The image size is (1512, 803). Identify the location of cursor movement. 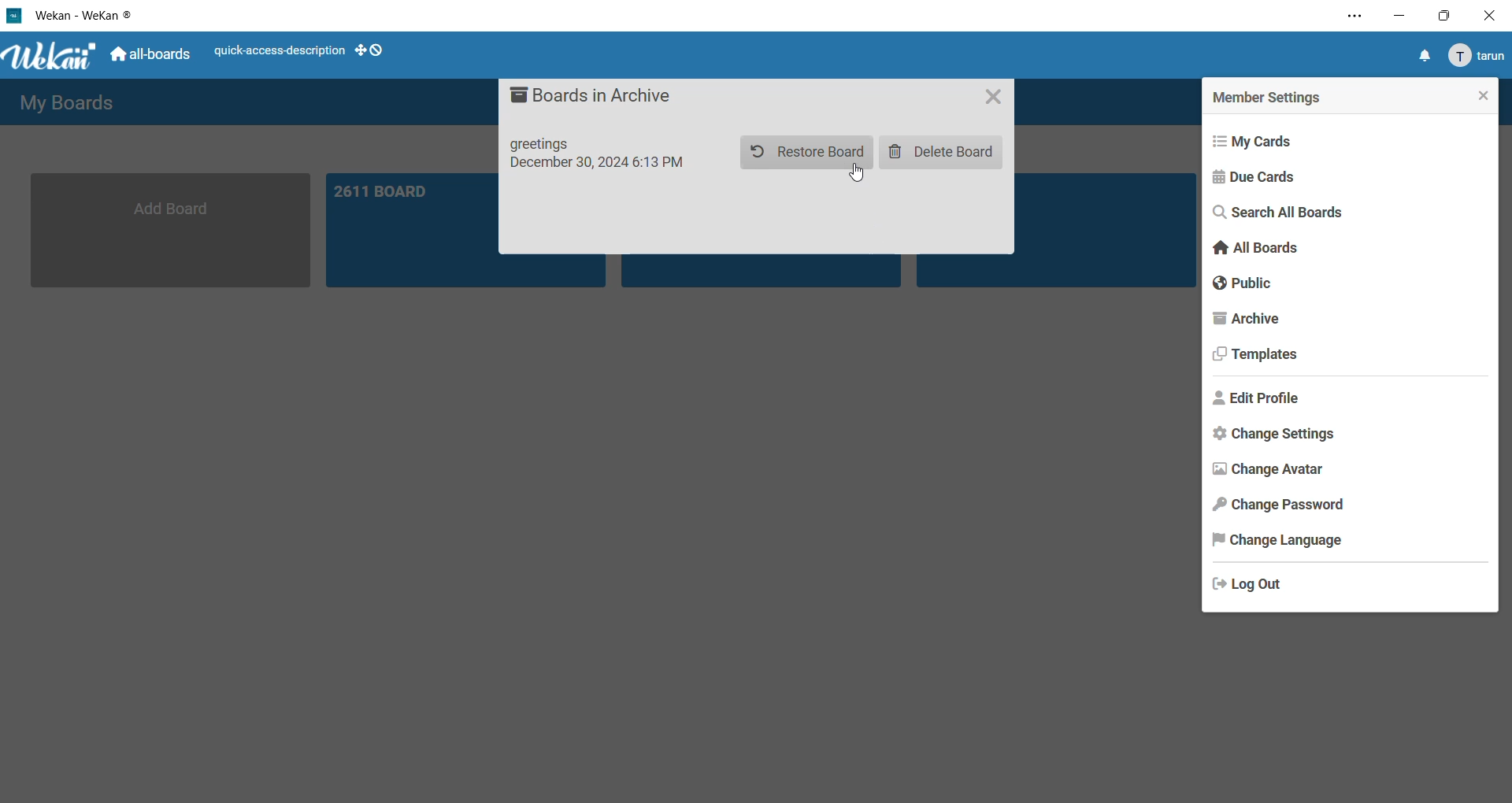
(859, 176).